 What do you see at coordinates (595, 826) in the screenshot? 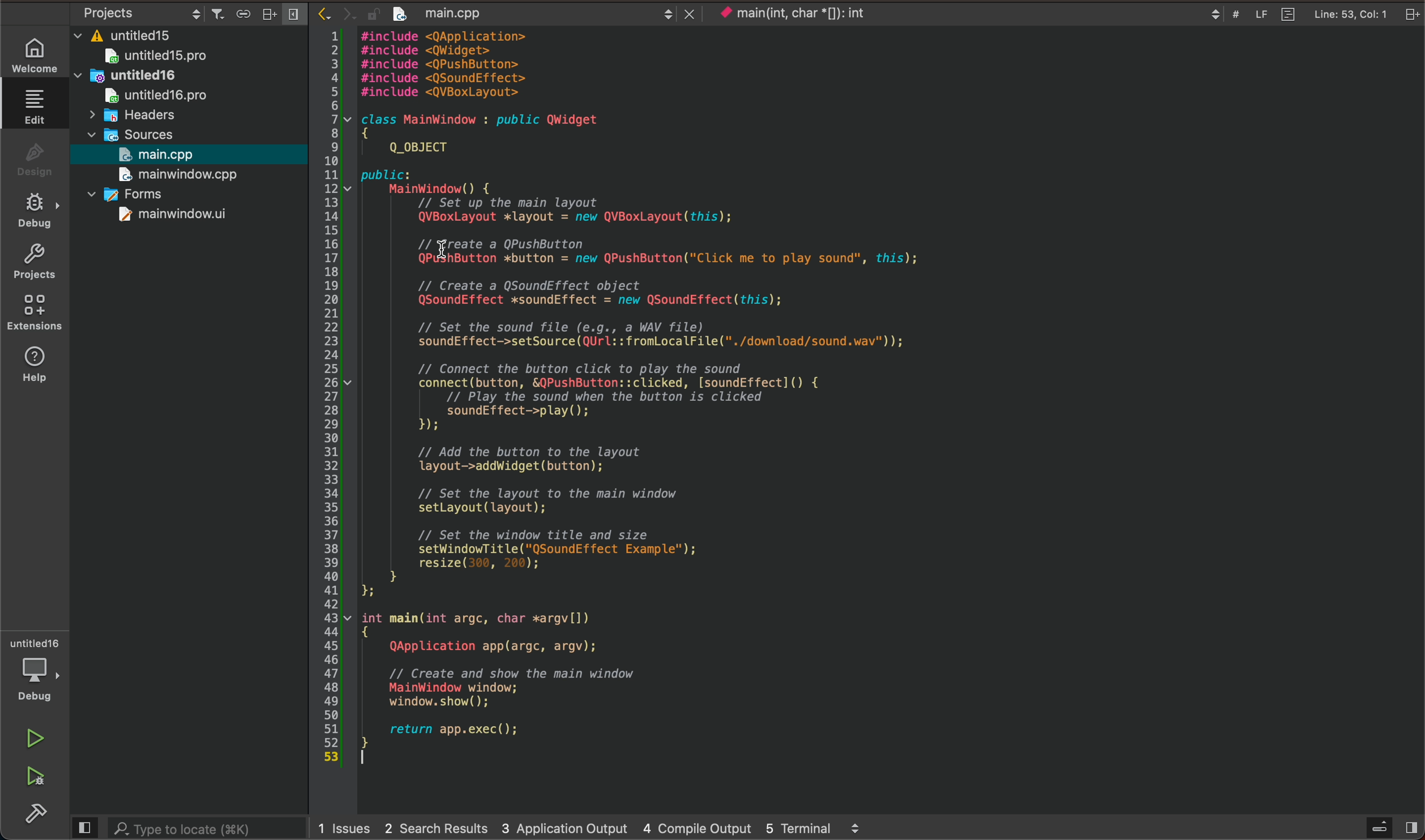
I see `logs` at bounding box center [595, 826].